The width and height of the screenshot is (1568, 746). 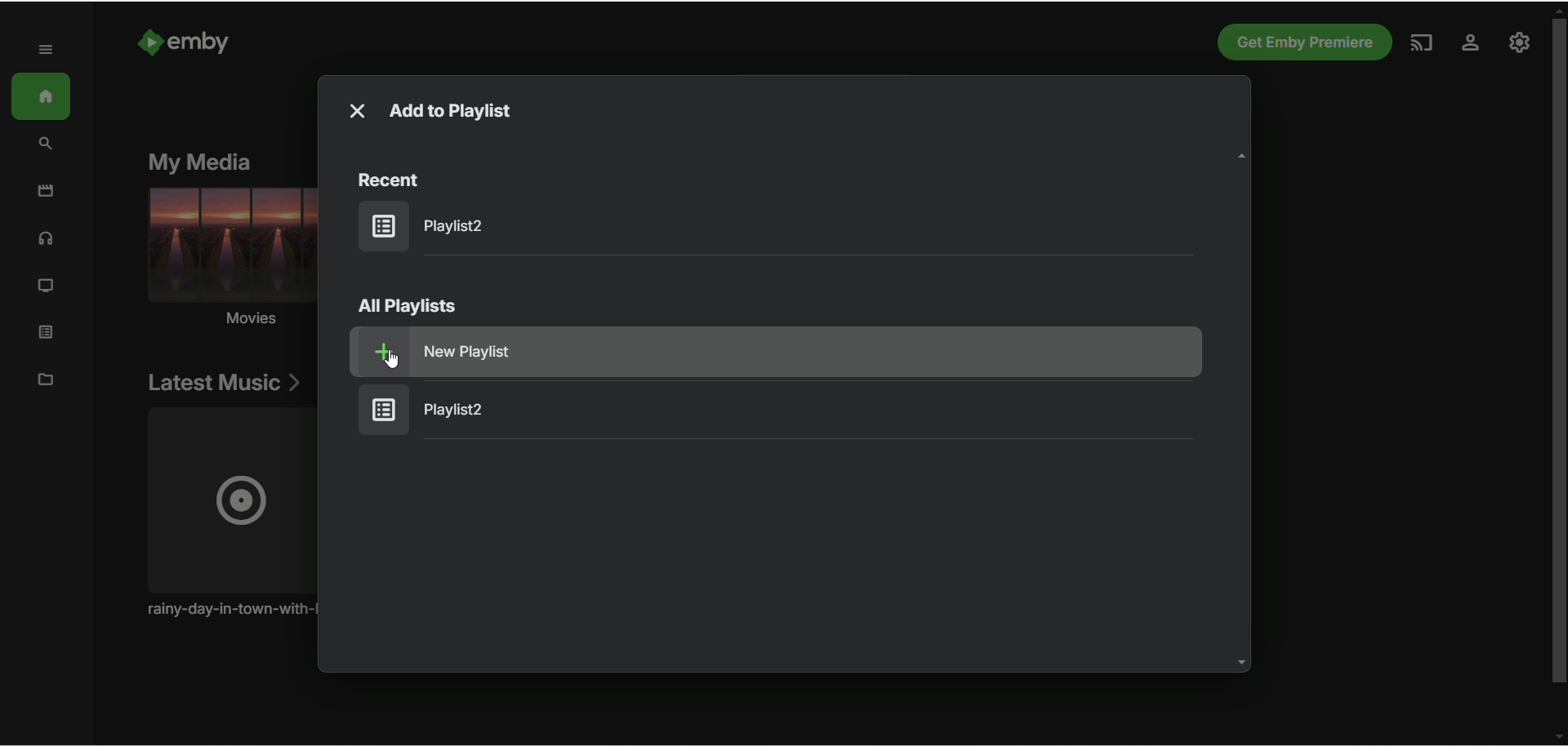 What do you see at coordinates (227, 260) in the screenshot?
I see `movies` at bounding box center [227, 260].